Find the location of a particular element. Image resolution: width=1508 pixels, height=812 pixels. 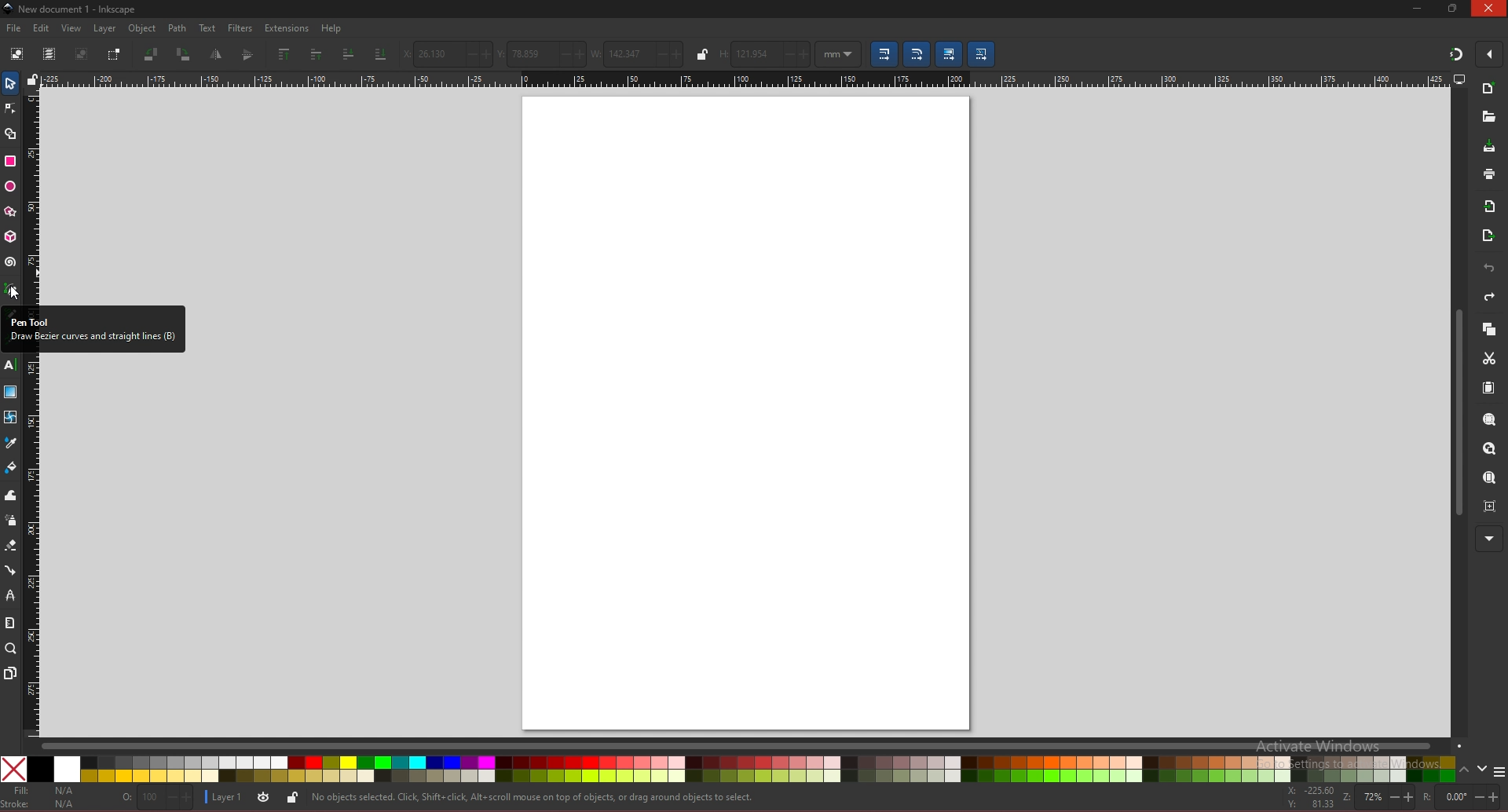

title is located at coordinates (72, 8).